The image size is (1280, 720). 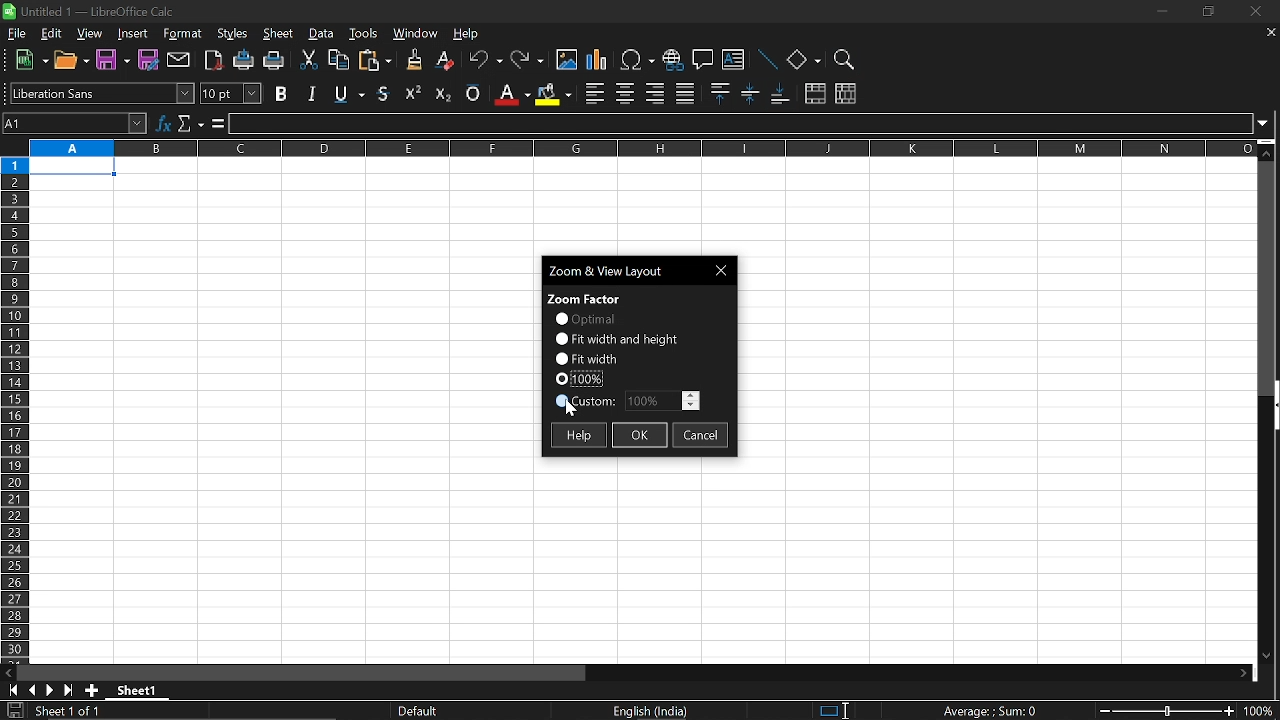 I want to click on move left, so click(x=8, y=671).